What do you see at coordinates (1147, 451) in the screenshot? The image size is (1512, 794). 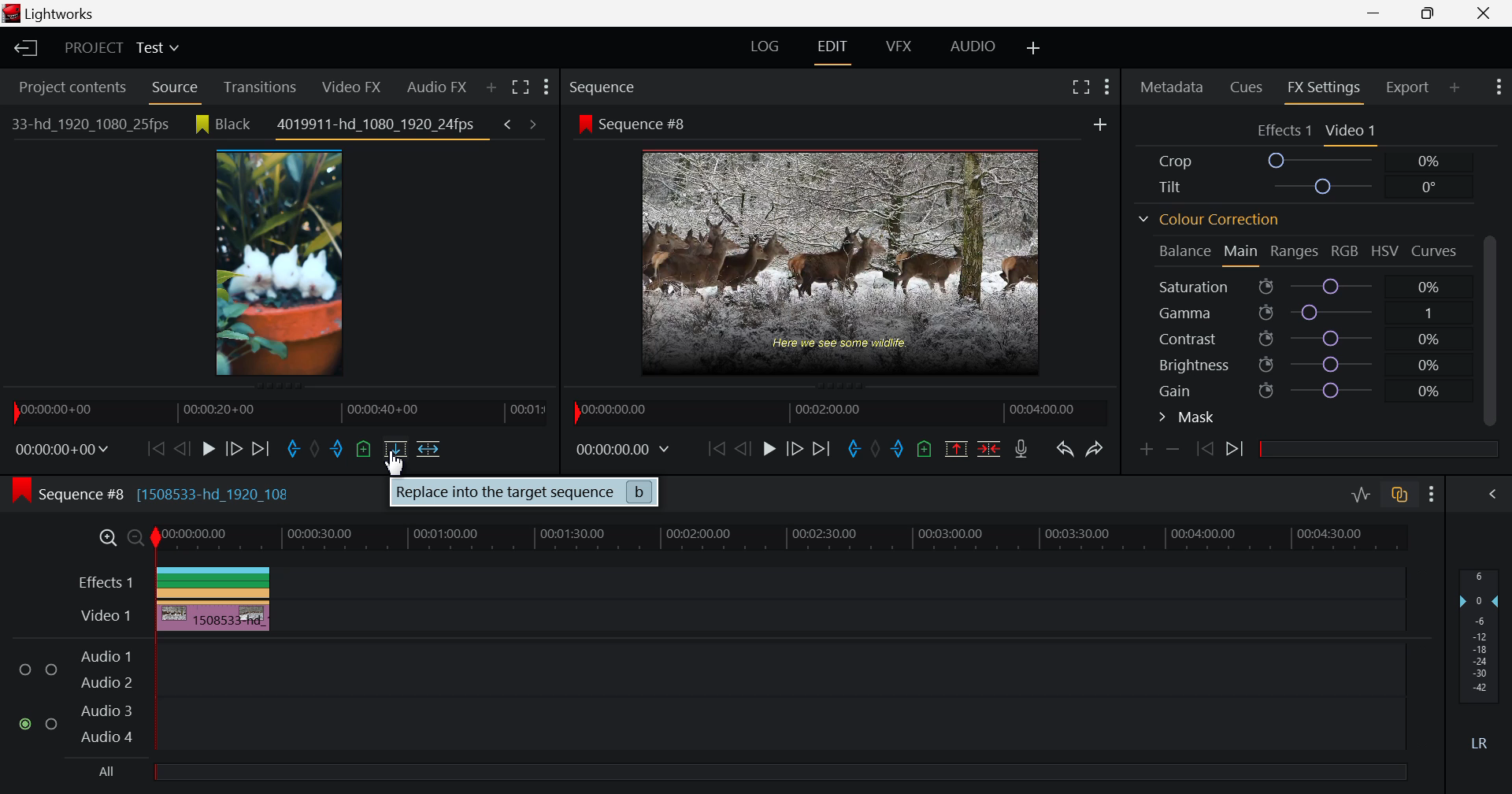 I see `Add keyframe` at bounding box center [1147, 451].